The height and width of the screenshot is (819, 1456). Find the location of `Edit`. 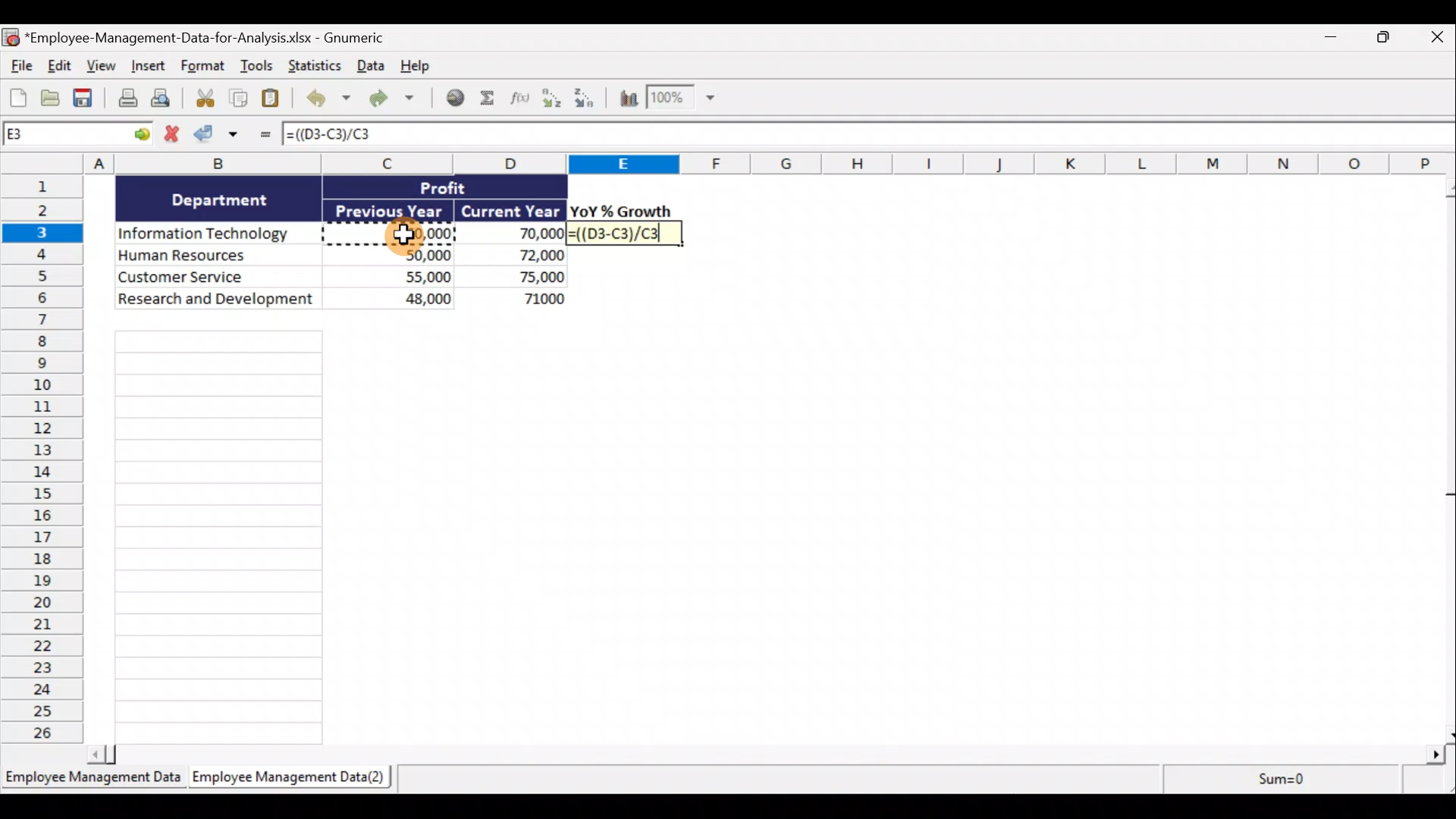

Edit is located at coordinates (58, 65).